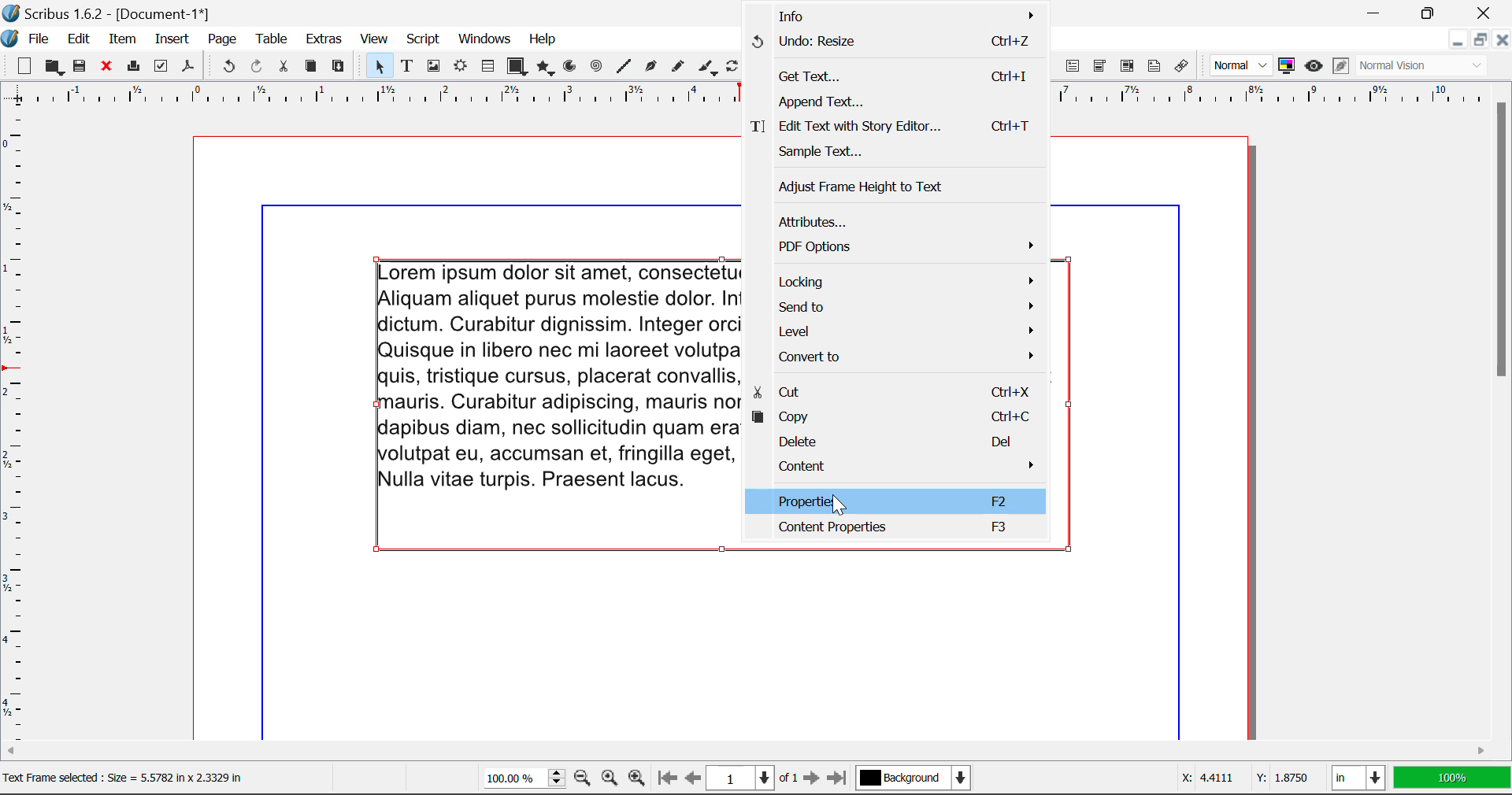 This screenshot has width=1512, height=795. I want to click on Edit in Preview Mode, so click(1341, 66).